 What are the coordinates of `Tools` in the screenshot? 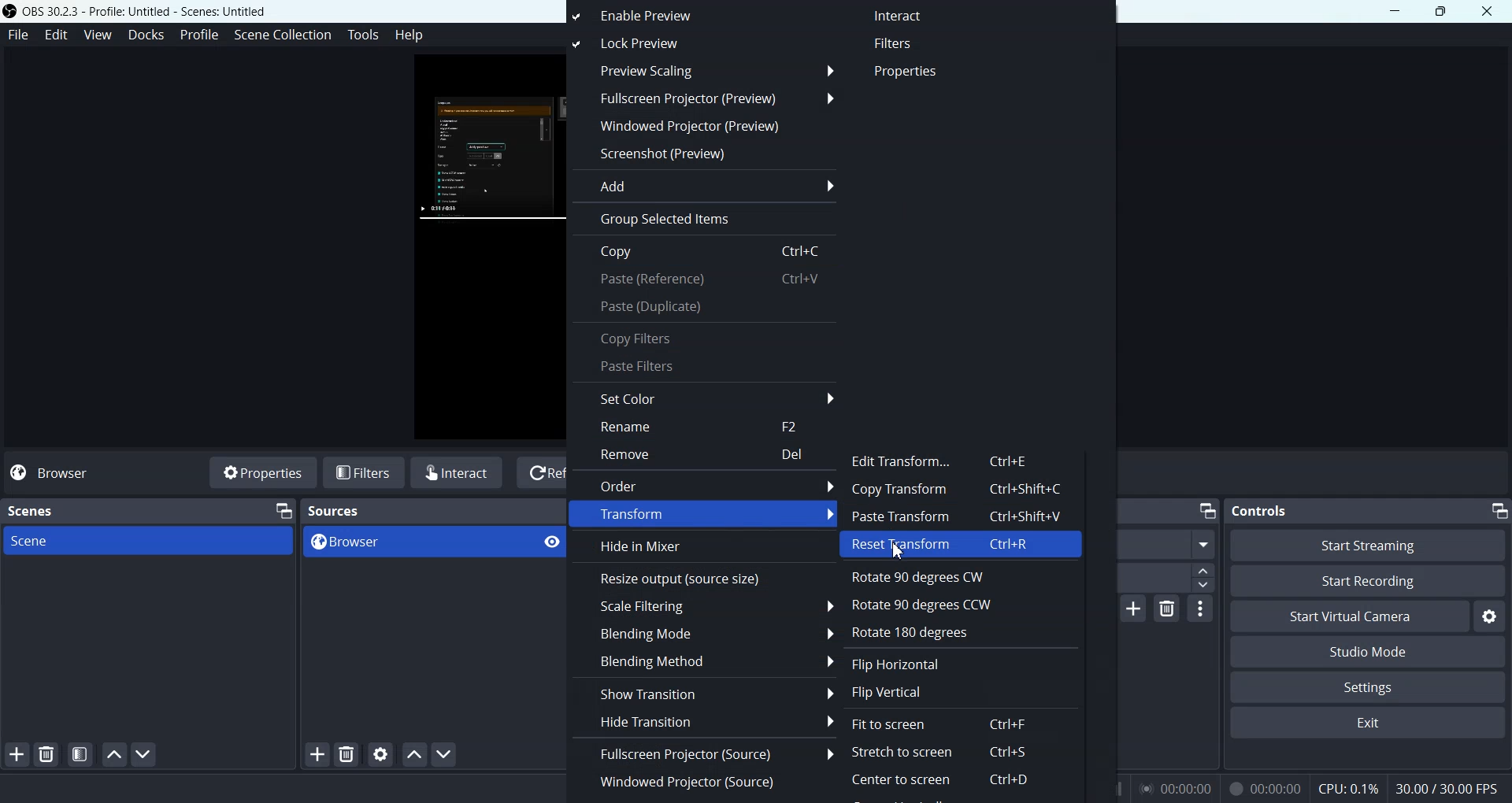 It's located at (363, 34).